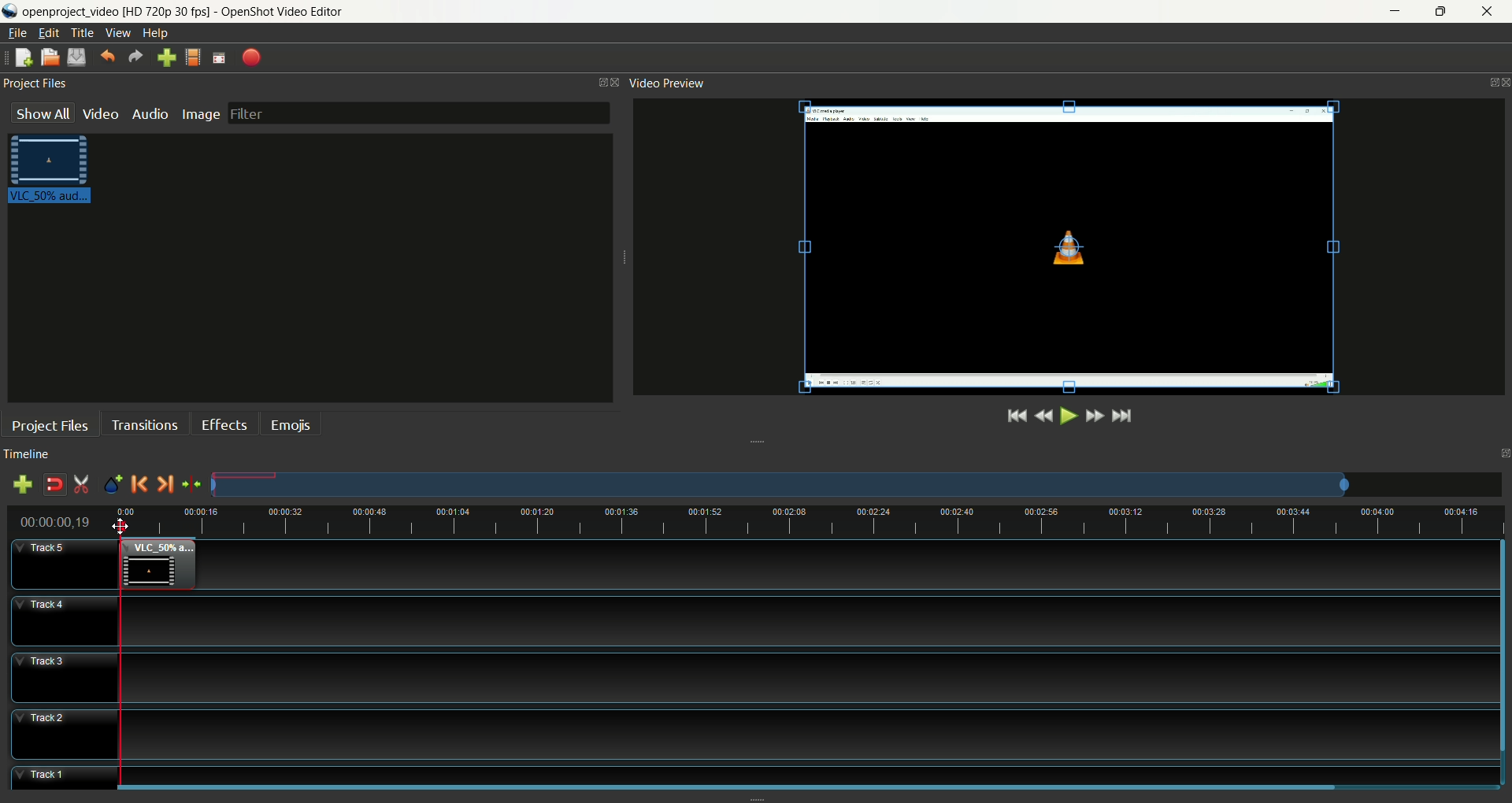 Image resolution: width=1512 pixels, height=803 pixels. I want to click on choose profile, so click(193, 56).